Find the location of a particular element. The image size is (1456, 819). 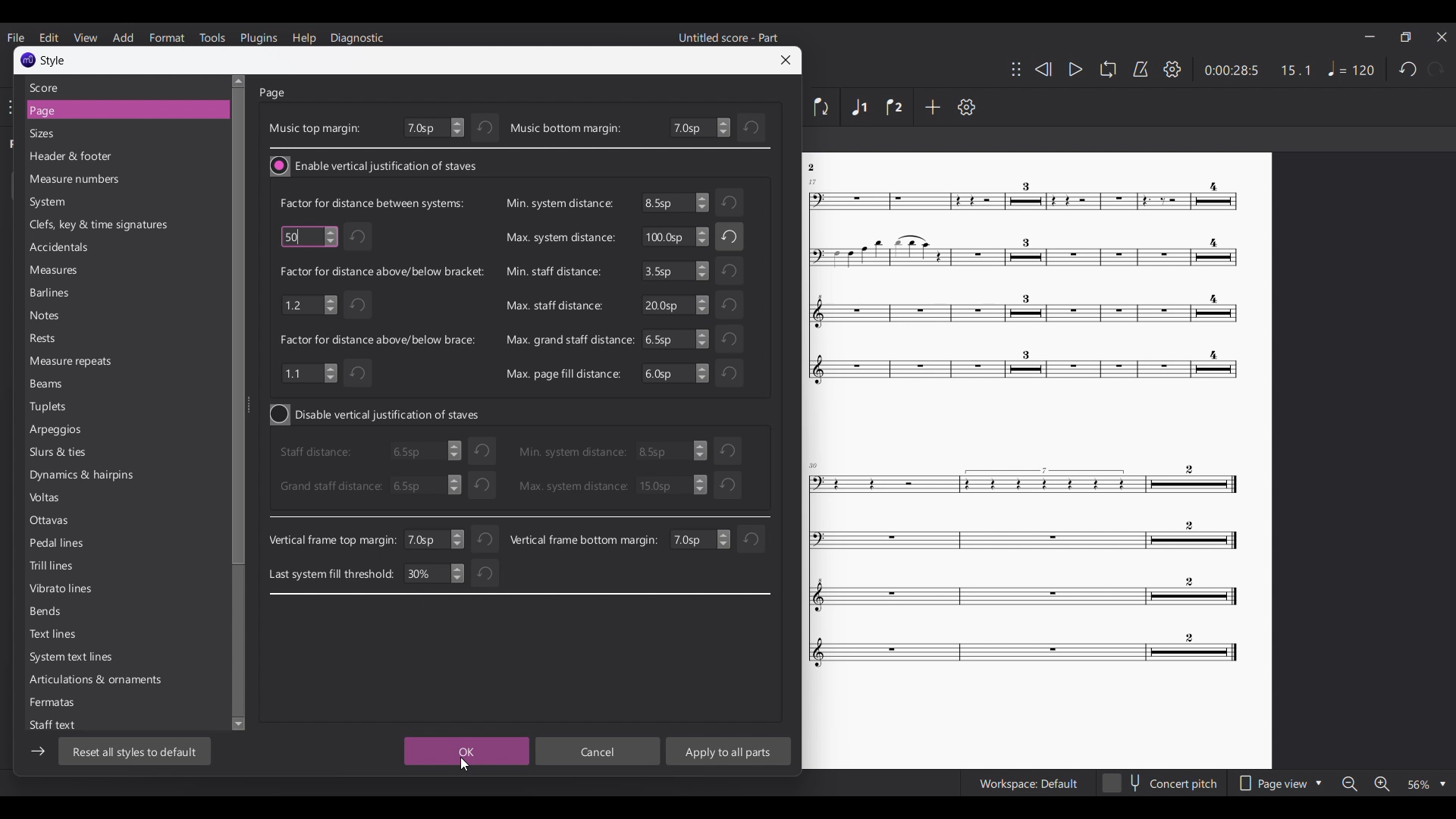

Max. system distance is located at coordinates (559, 239).